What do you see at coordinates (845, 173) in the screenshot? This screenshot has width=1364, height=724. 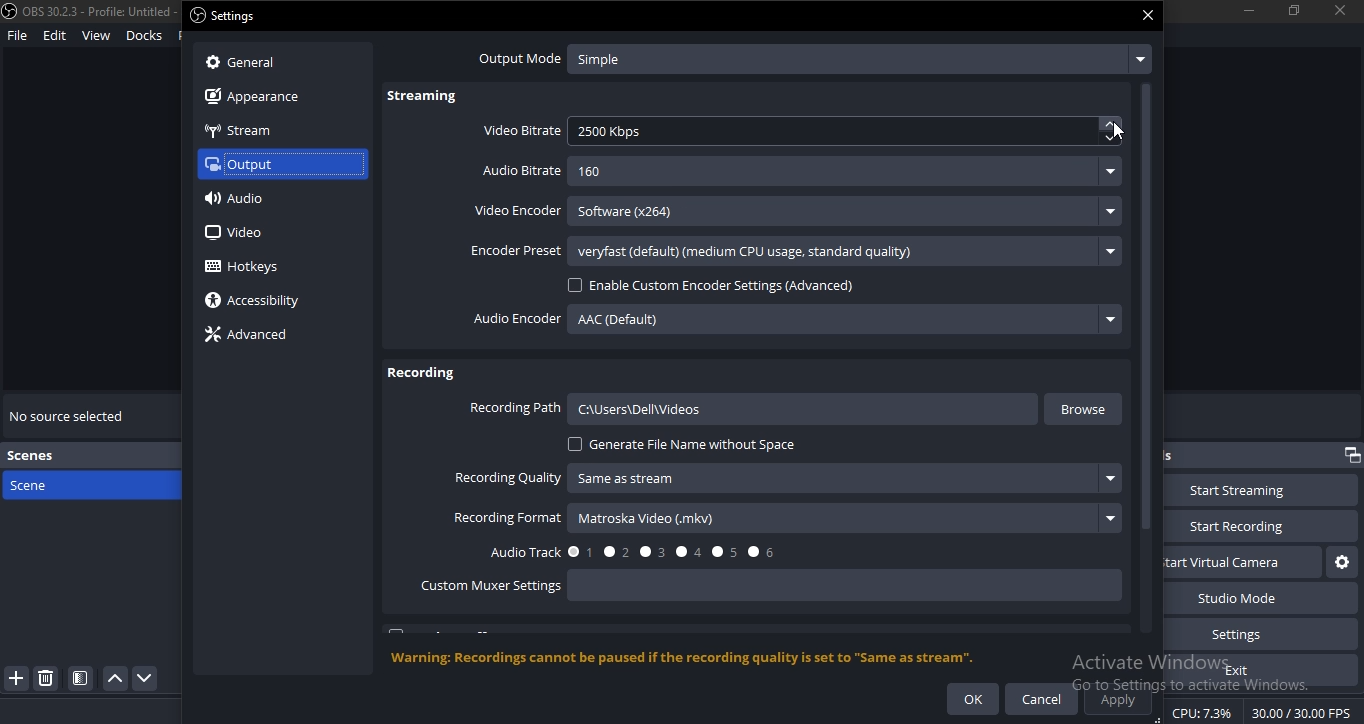 I see ` 160` at bounding box center [845, 173].